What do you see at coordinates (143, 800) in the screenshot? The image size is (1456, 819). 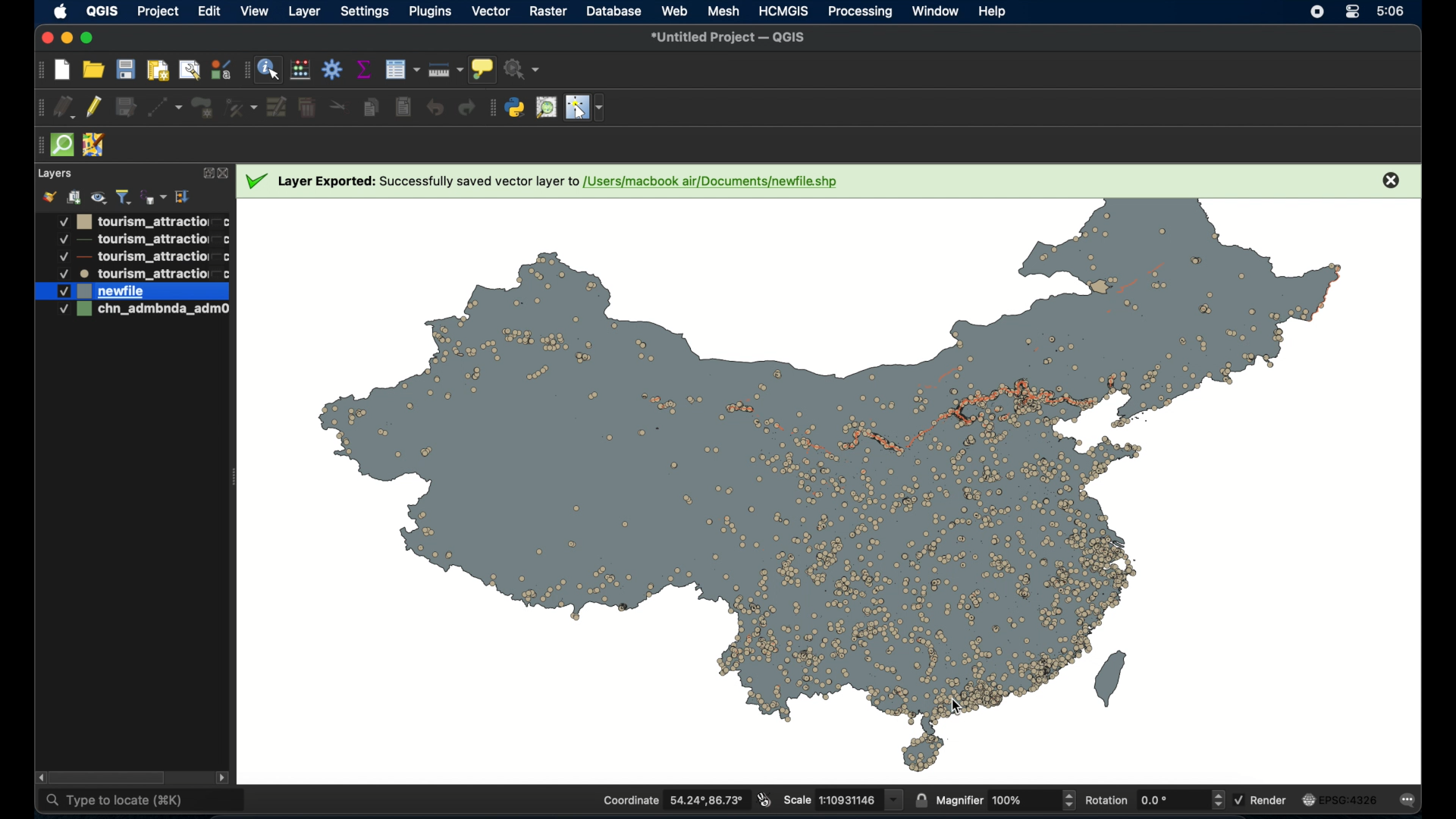 I see `type to locate` at bounding box center [143, 800].